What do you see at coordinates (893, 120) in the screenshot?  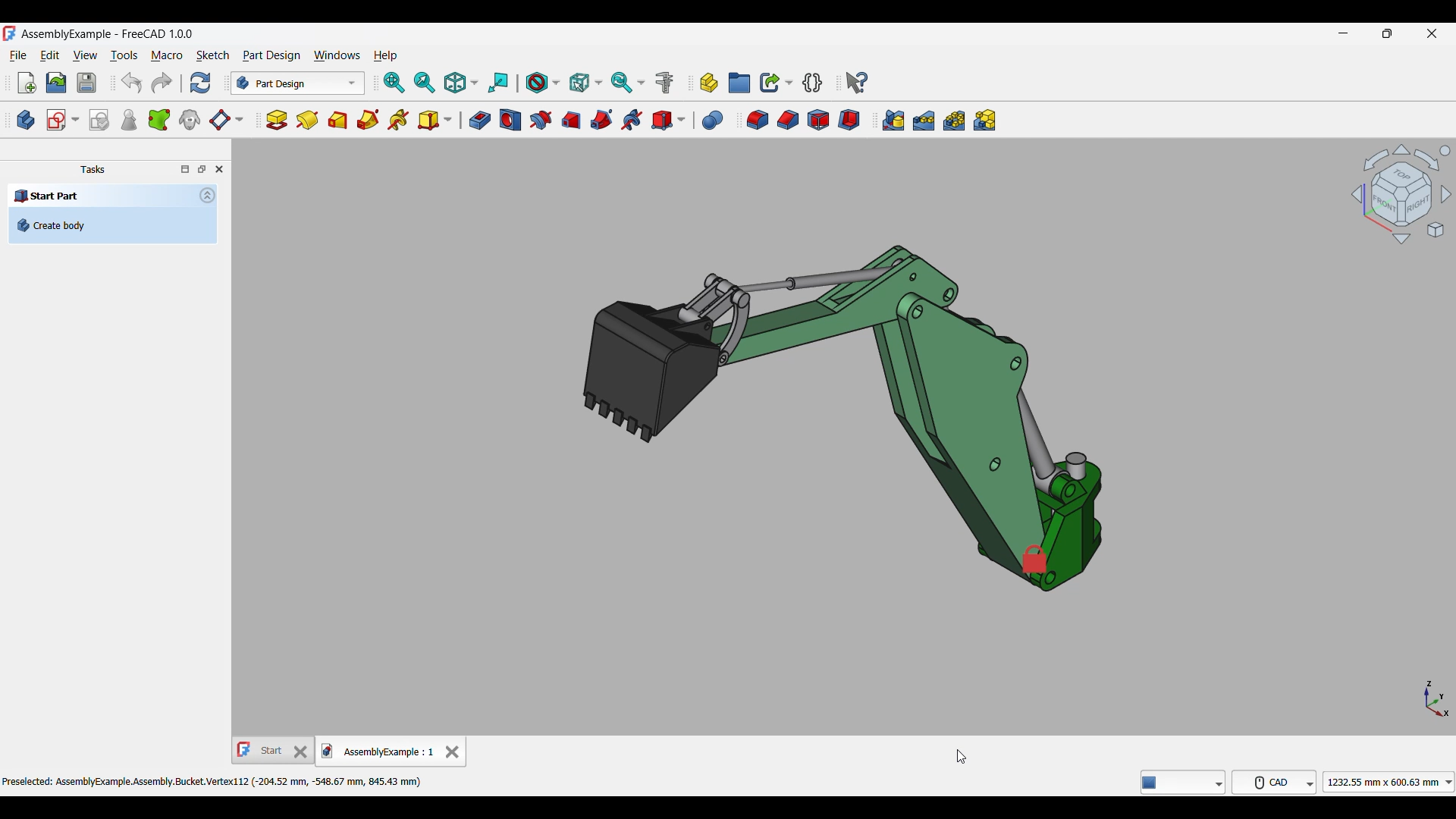 I see `Mirrored` at bounding box center [893, 120].